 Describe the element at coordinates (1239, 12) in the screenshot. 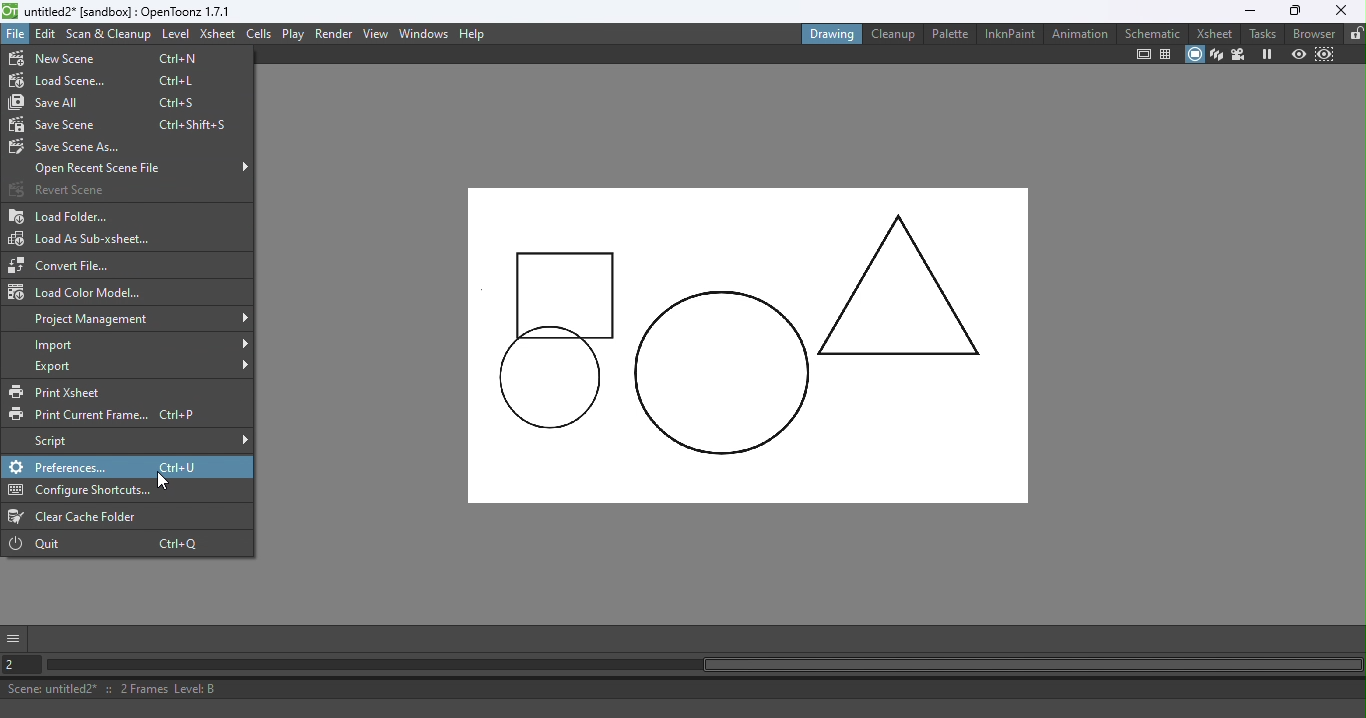

I see `Minimize` at that location.